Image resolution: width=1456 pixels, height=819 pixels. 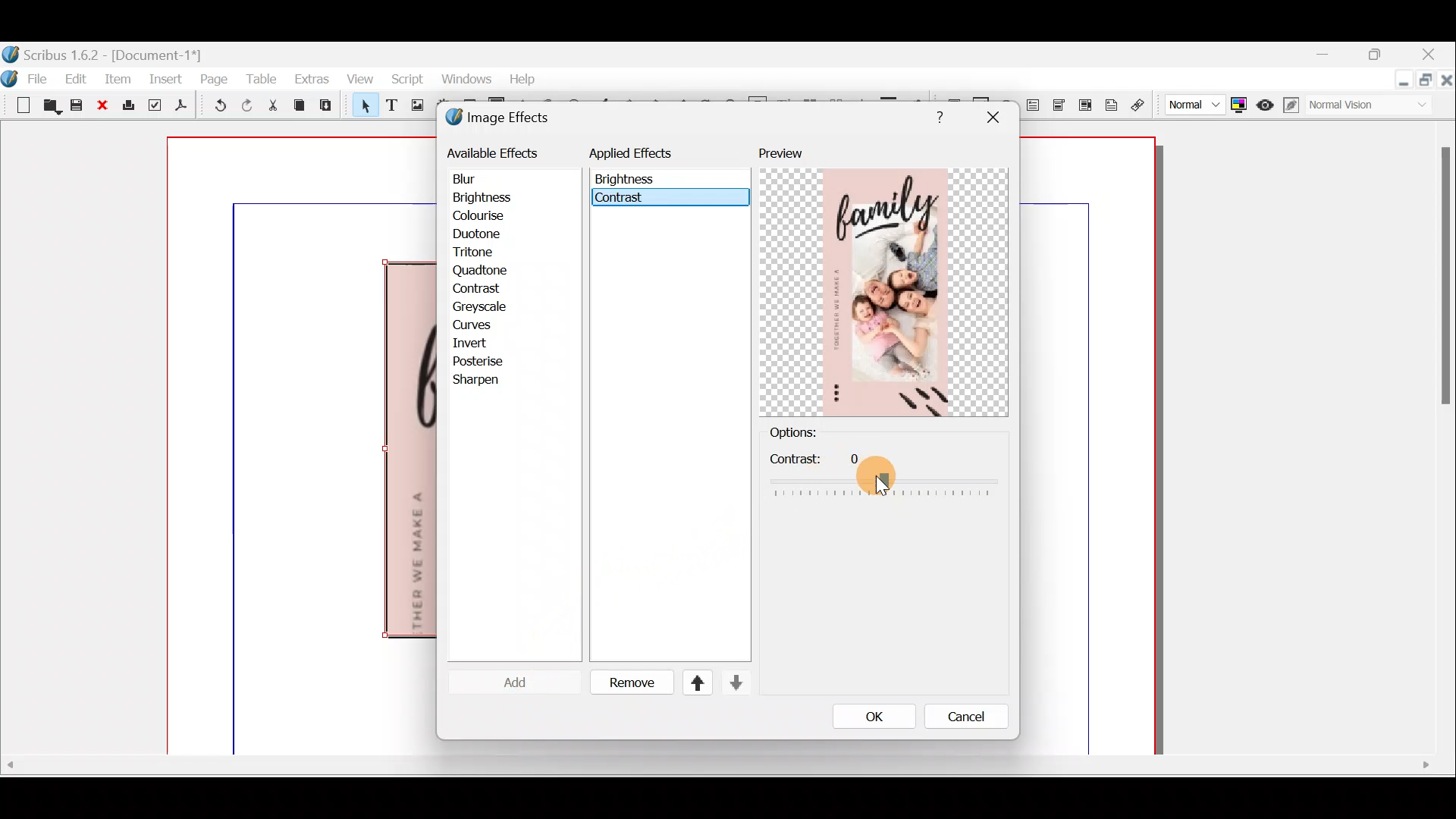 What do you see at coordinates (303, 447) in the screenshot?
I see `Canvas` at bounding box center [303, 447].